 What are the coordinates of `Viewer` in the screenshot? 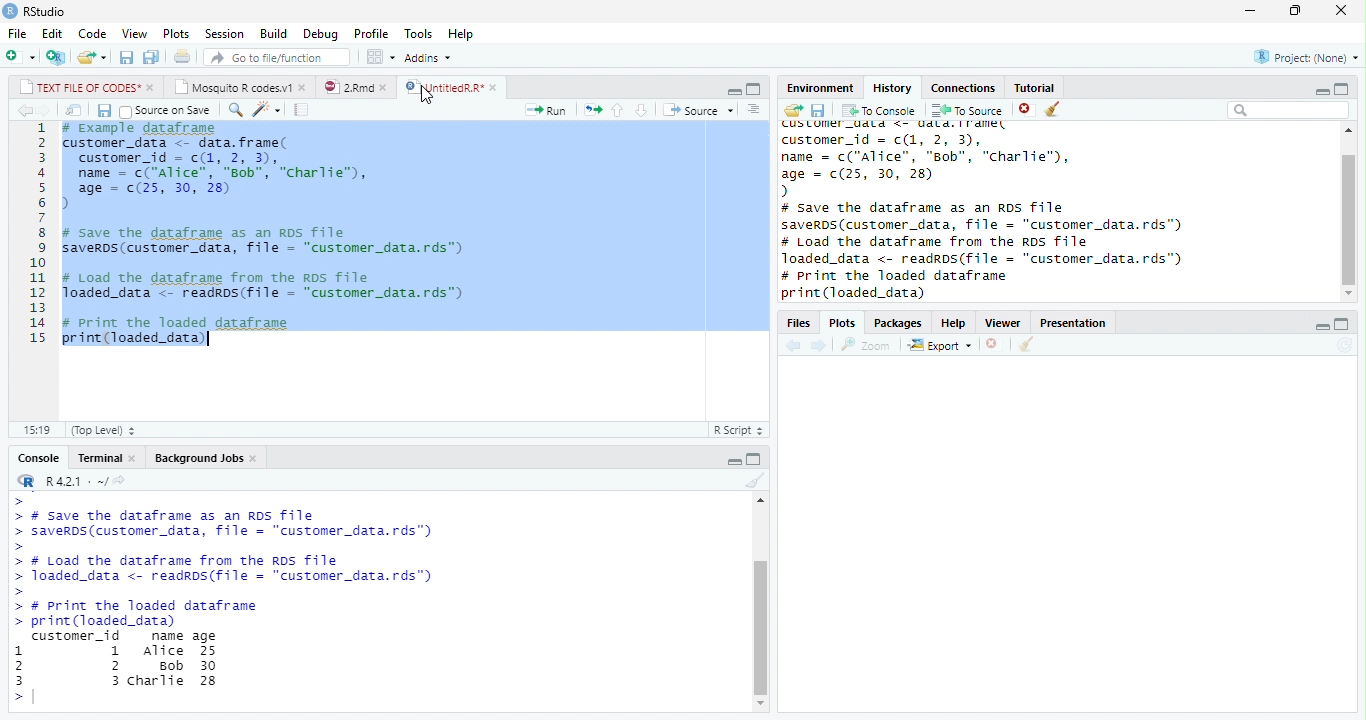 It's located at (1002, 322).